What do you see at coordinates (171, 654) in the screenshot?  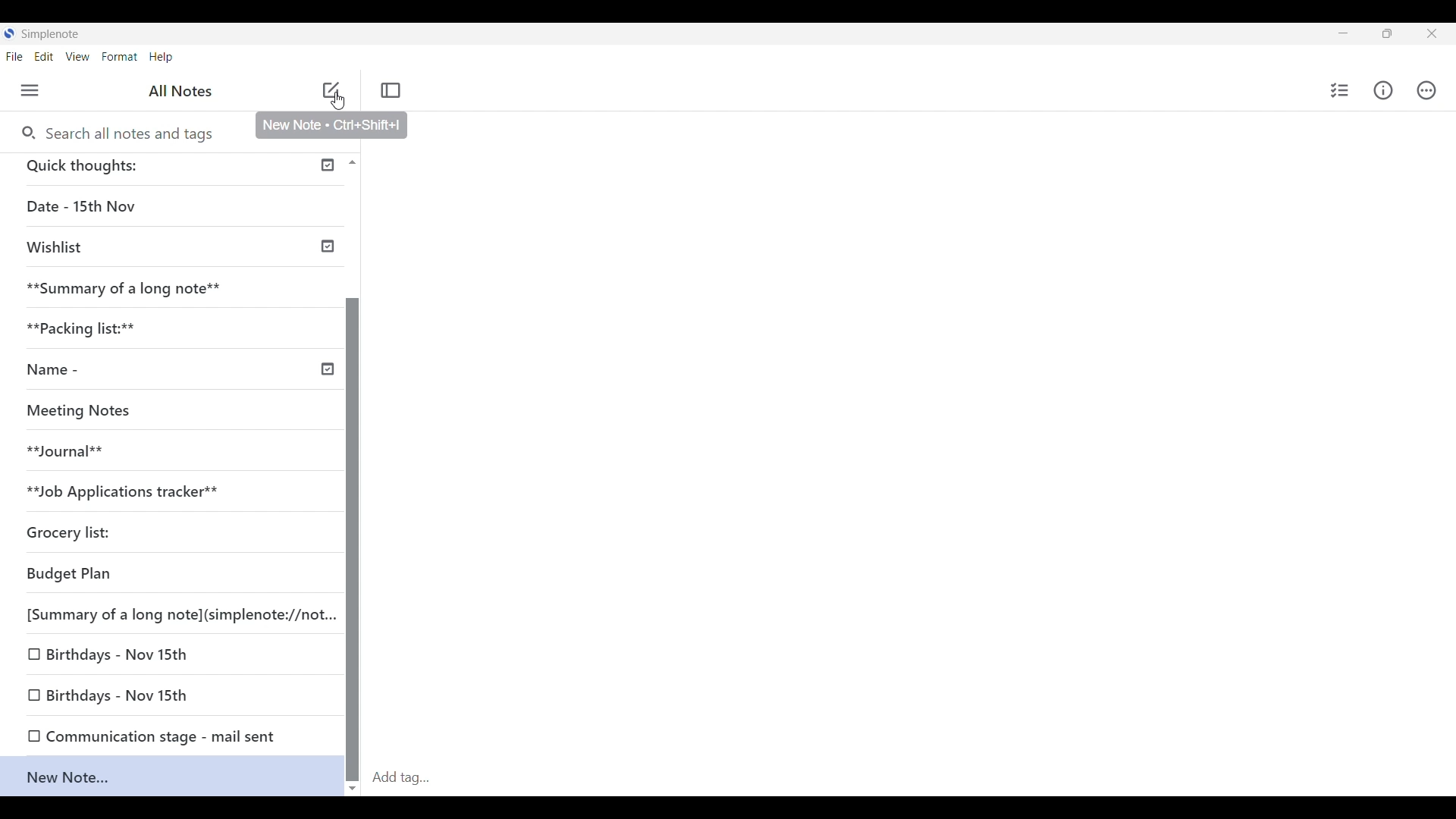 I see `Birthdays - Nov 15th` at bounding box center [171, 654].